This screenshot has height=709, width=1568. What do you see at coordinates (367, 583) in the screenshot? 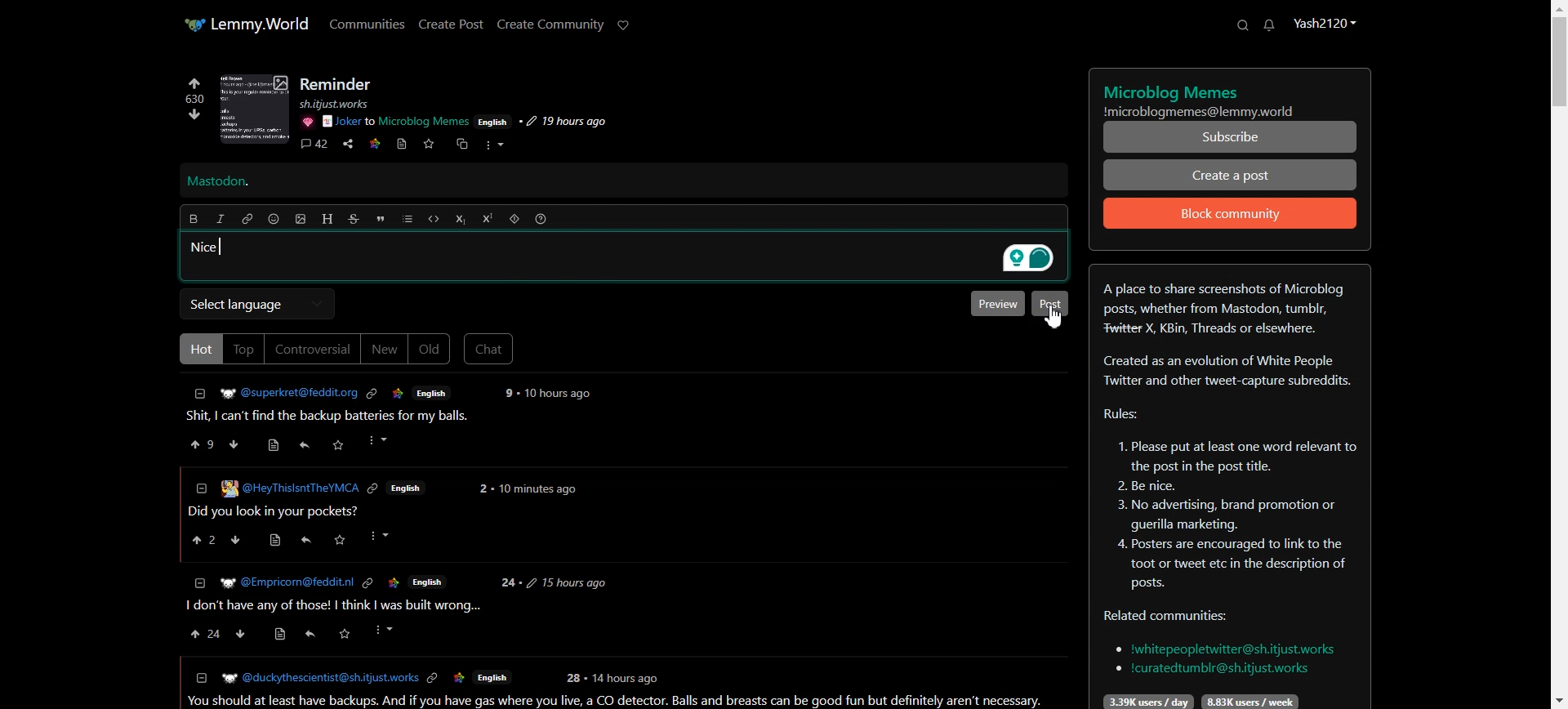
I see `` at bounding box center [367, 583].